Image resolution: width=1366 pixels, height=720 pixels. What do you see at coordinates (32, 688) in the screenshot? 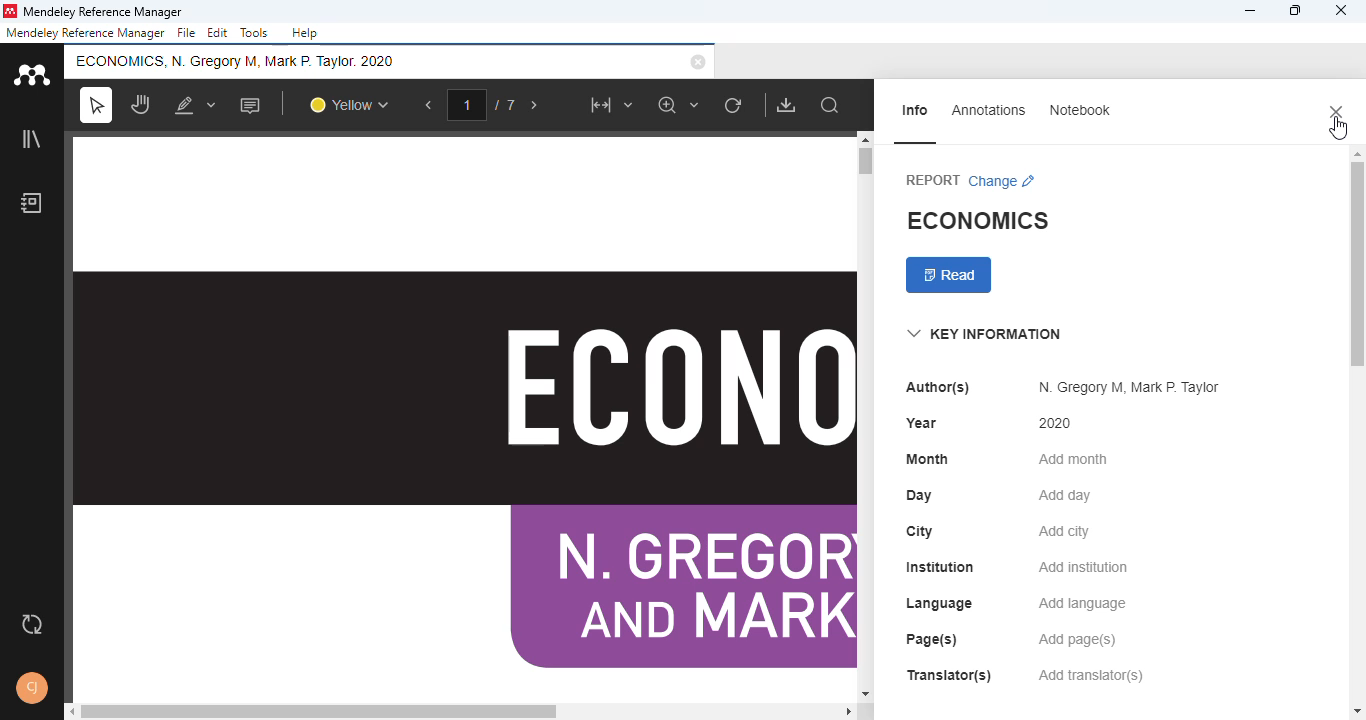
I see `profile` at bounding box center [32, 688].